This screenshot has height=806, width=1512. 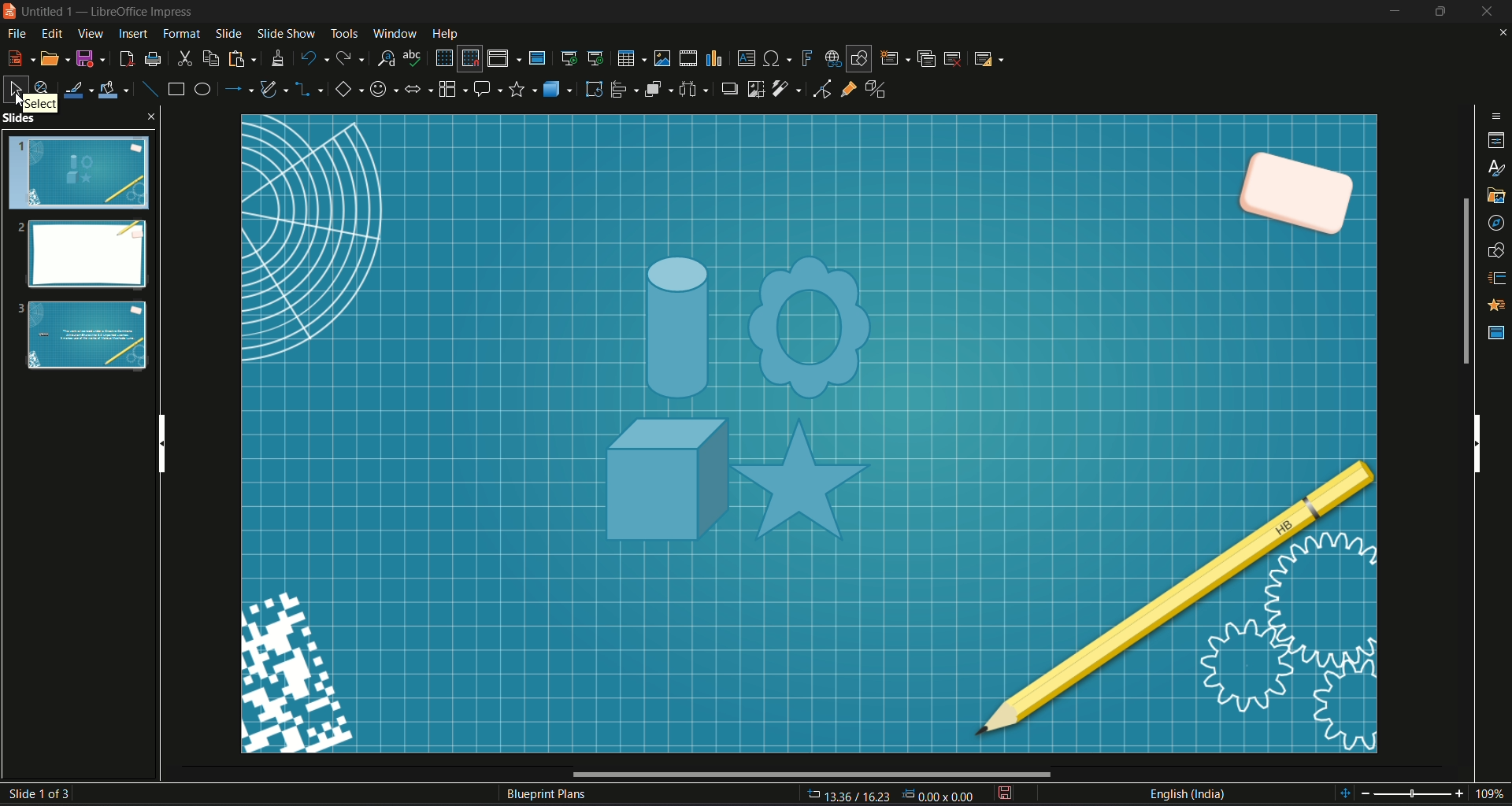 What do you see at coordinates (451, 89) in the screenshot?
I see `flowchart` at bounding box center [451, 89].